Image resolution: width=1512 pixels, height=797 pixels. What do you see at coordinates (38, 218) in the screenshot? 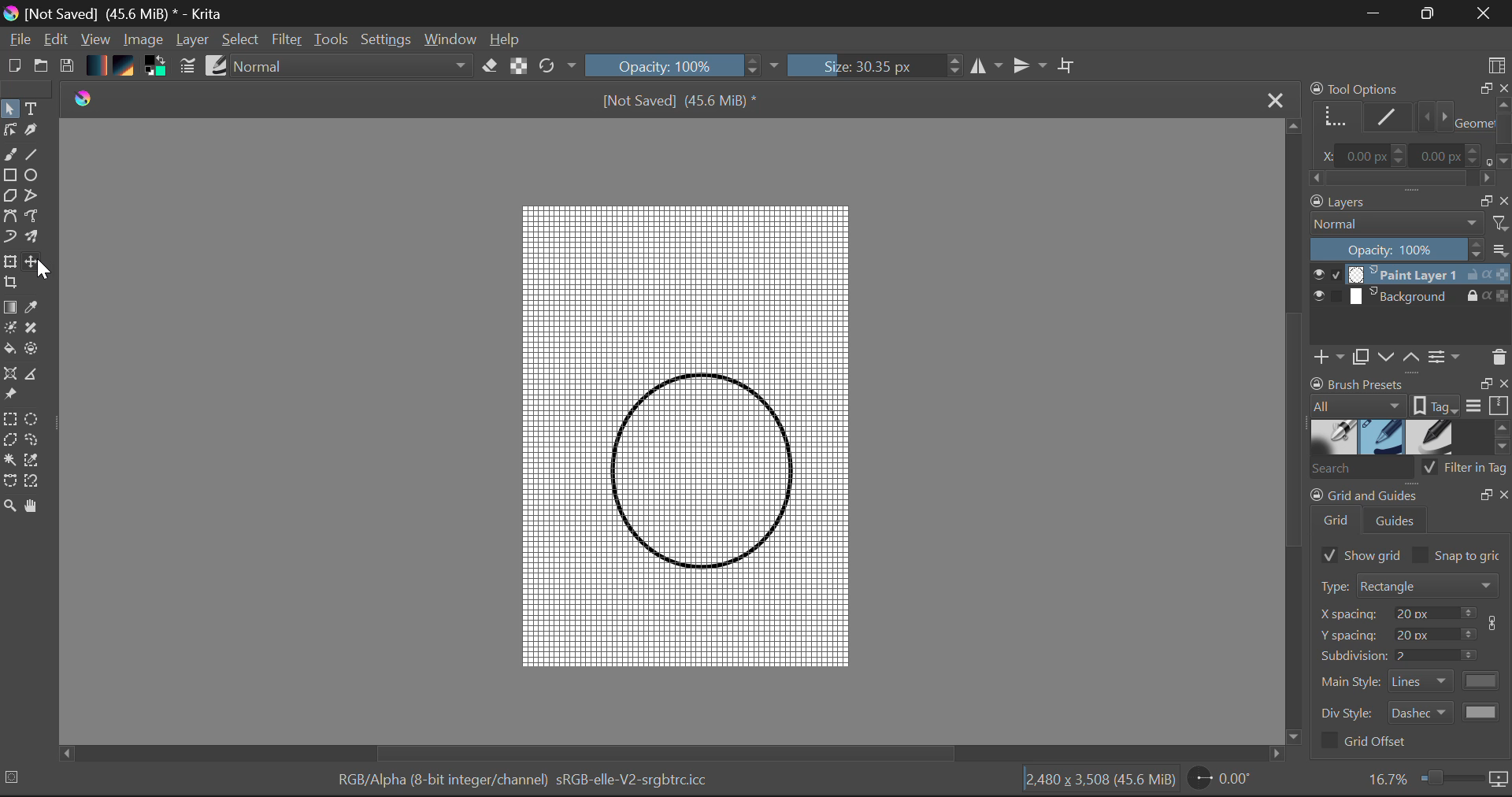
I see `Freehand Path Tool` at bounding box center [38, 218].